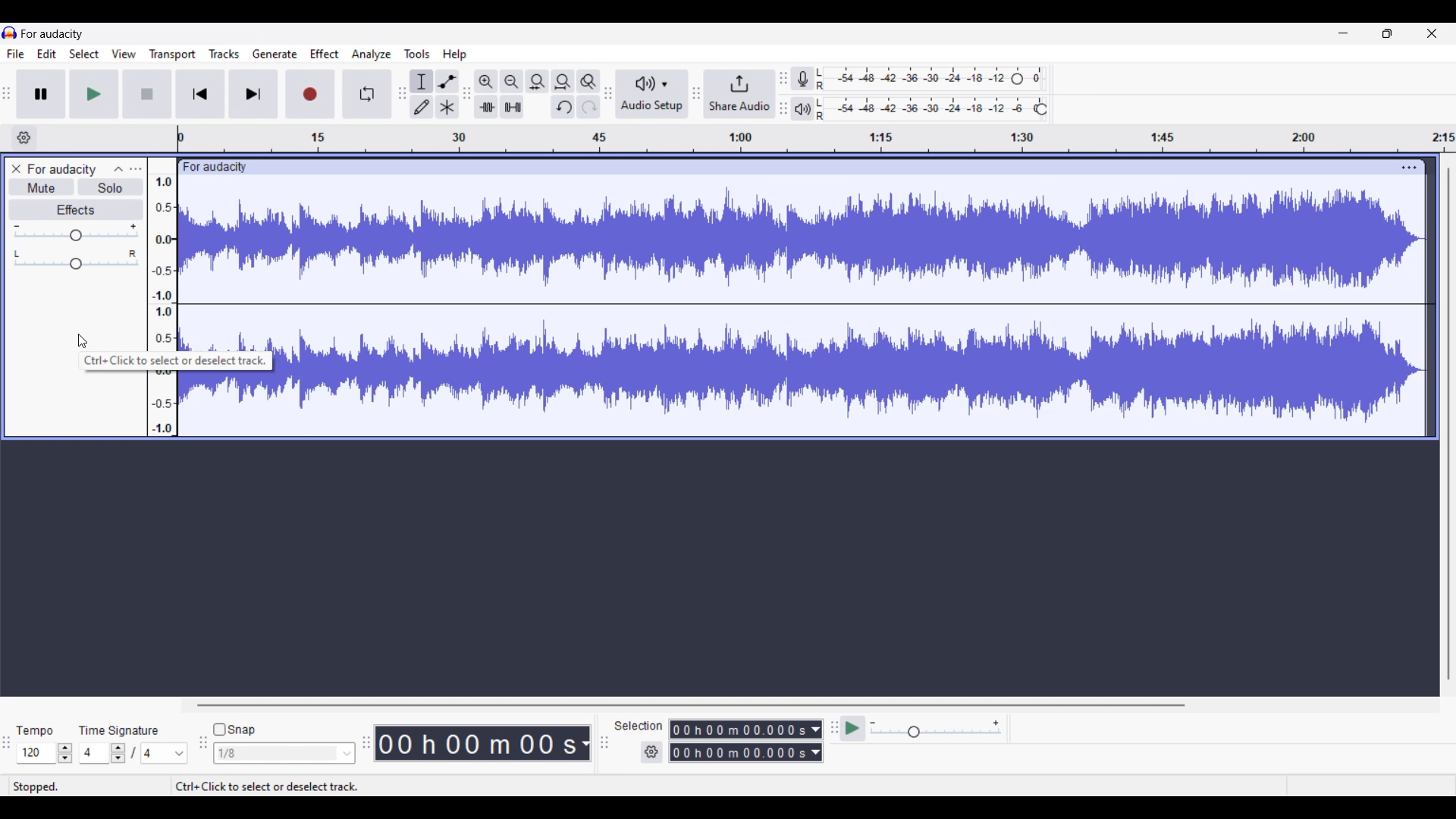  I want to click on Selection tool, so click(422, 82).